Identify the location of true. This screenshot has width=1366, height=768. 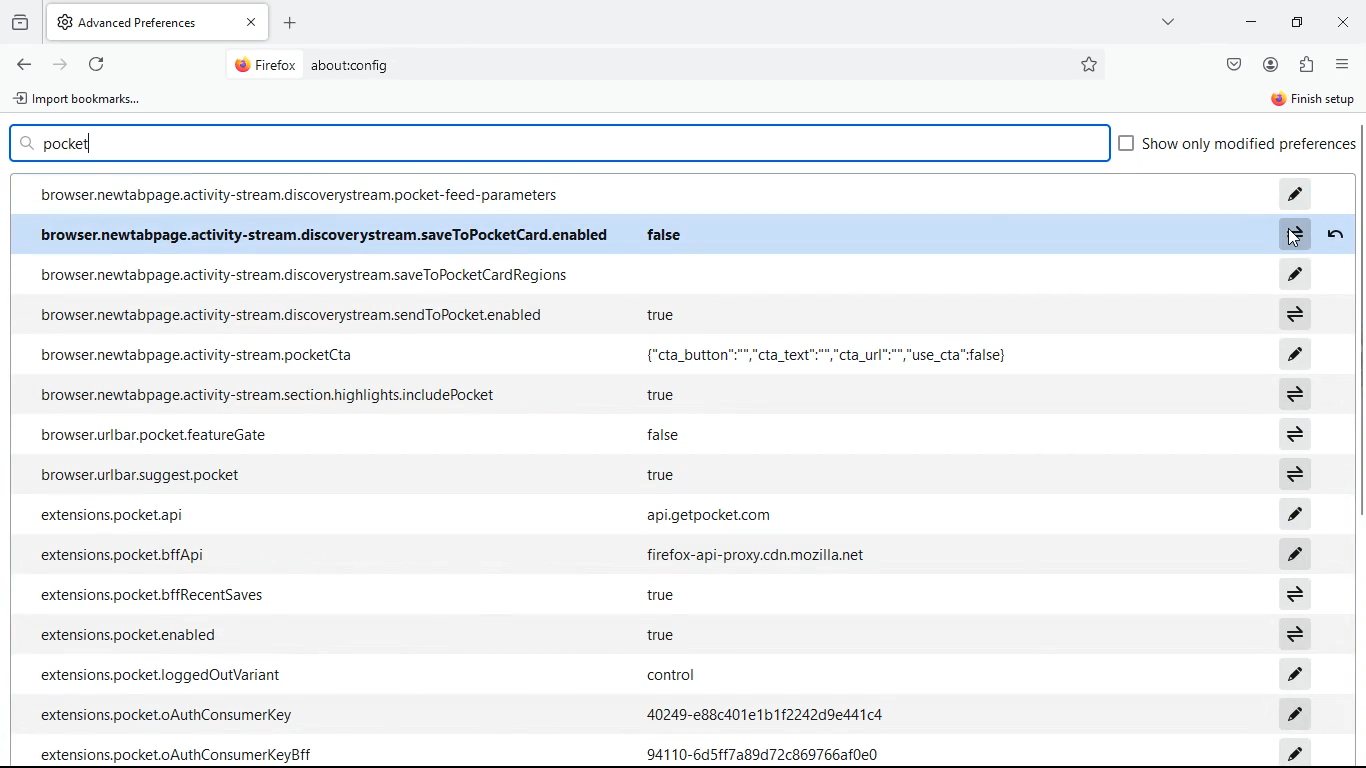
(657, 473).